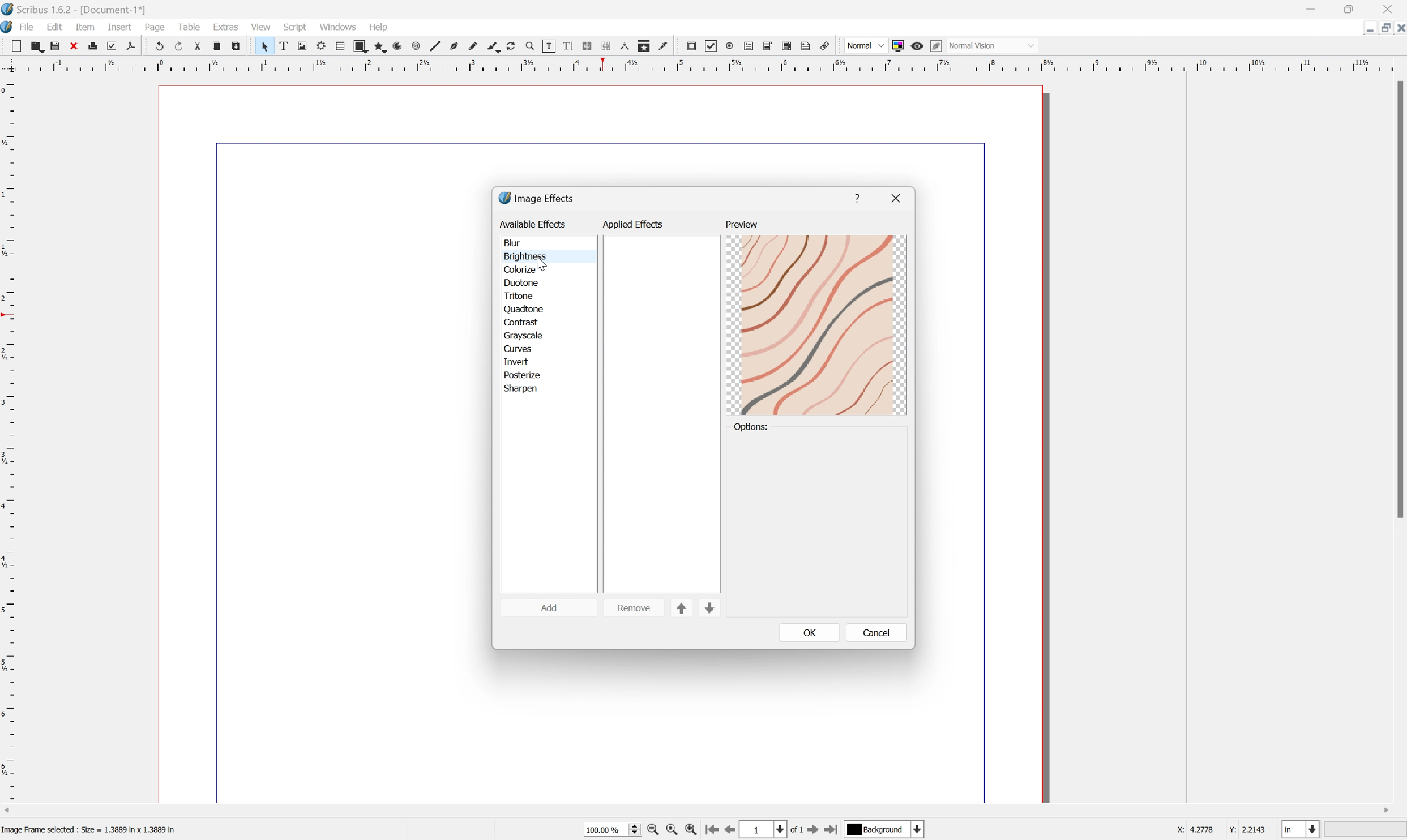 The image size is (1407, 840). Describe the element at coordinates (95, 46) in the screenshot. I see `Print` at that location.